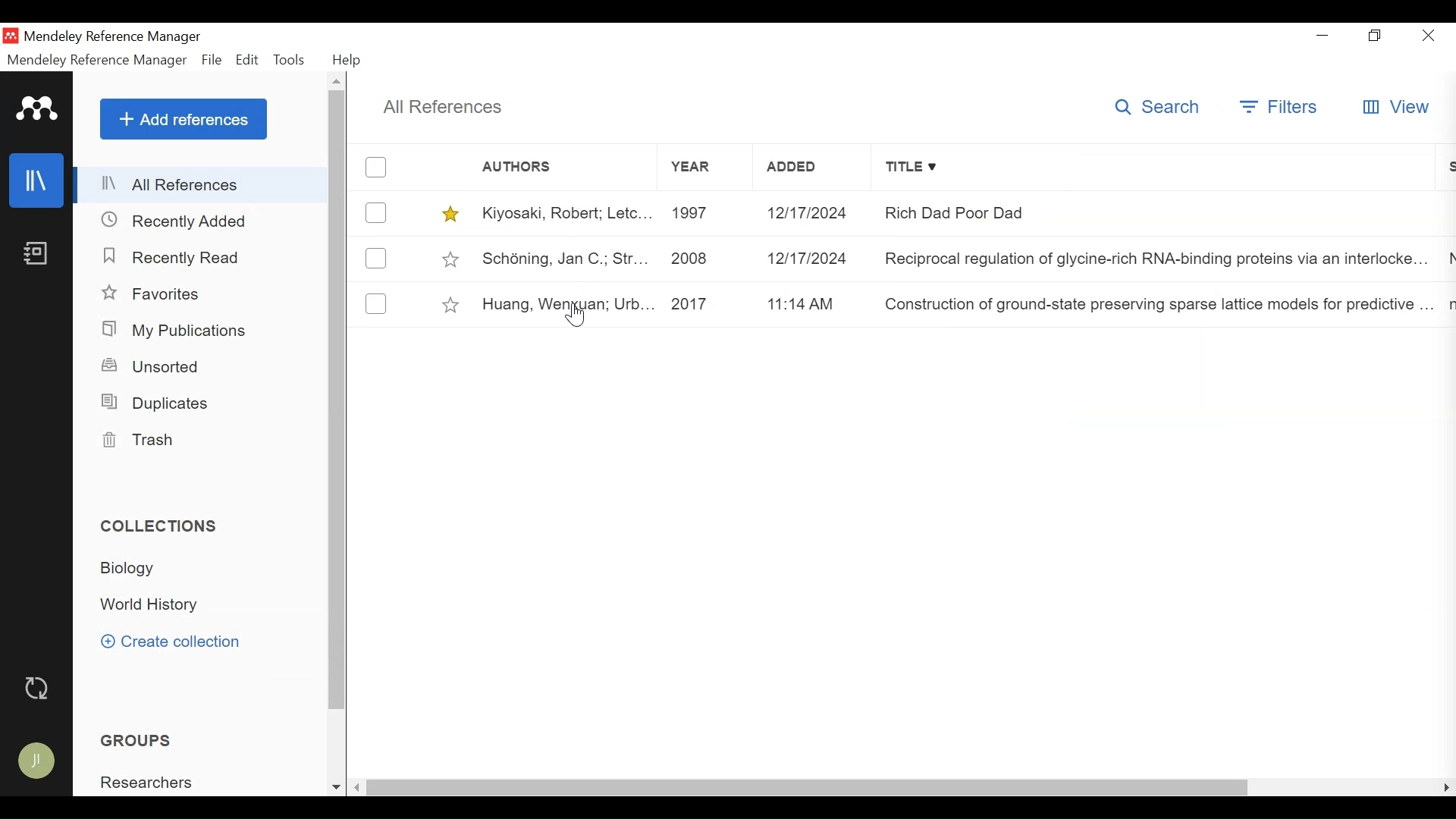  Describe the element at coordinates (176, 641) in the screenshot. I see `Create Collection` at that location.